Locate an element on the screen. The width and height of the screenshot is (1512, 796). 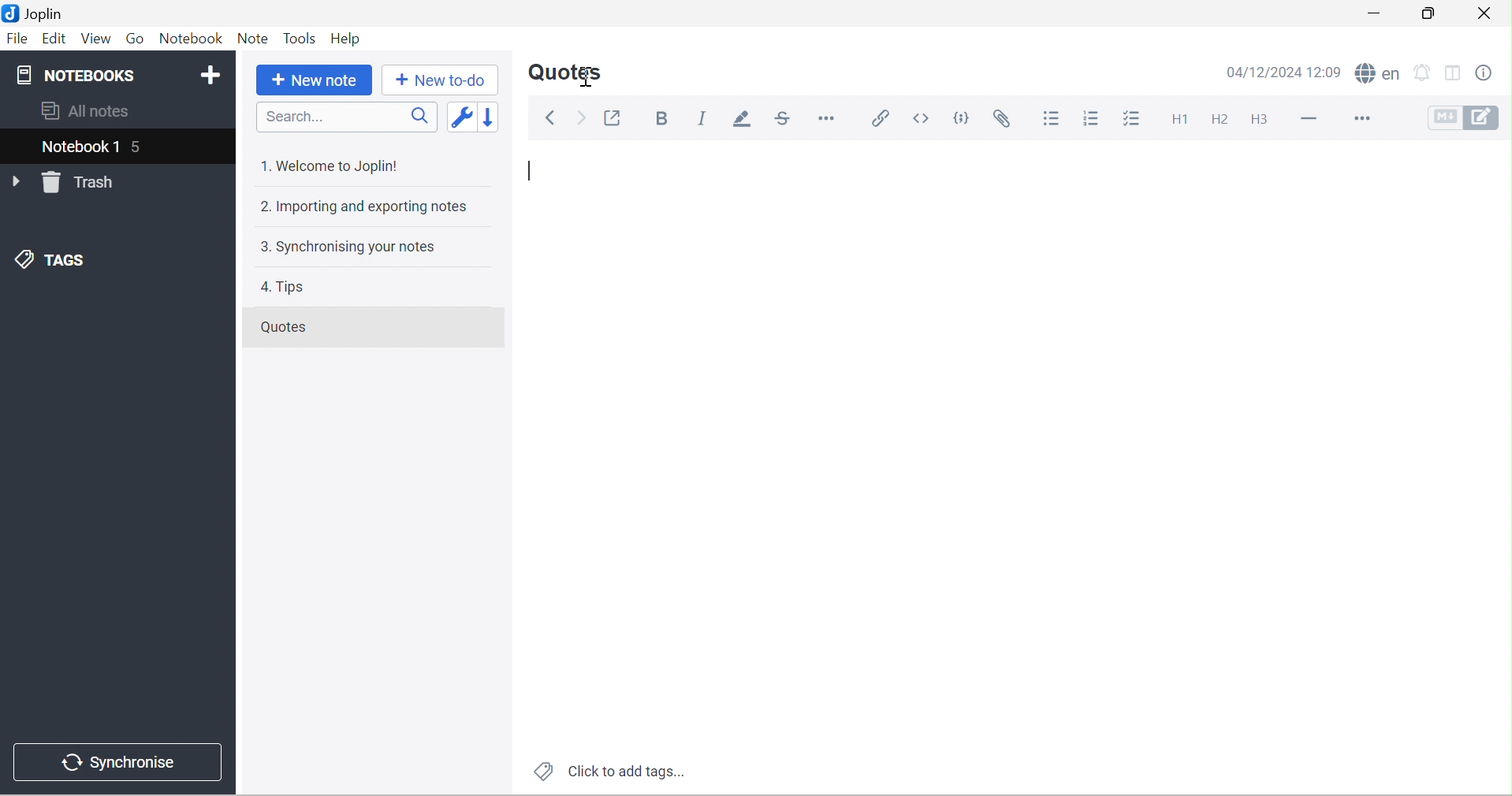
NOTEBOOKS is located at coordinates (80, 75).